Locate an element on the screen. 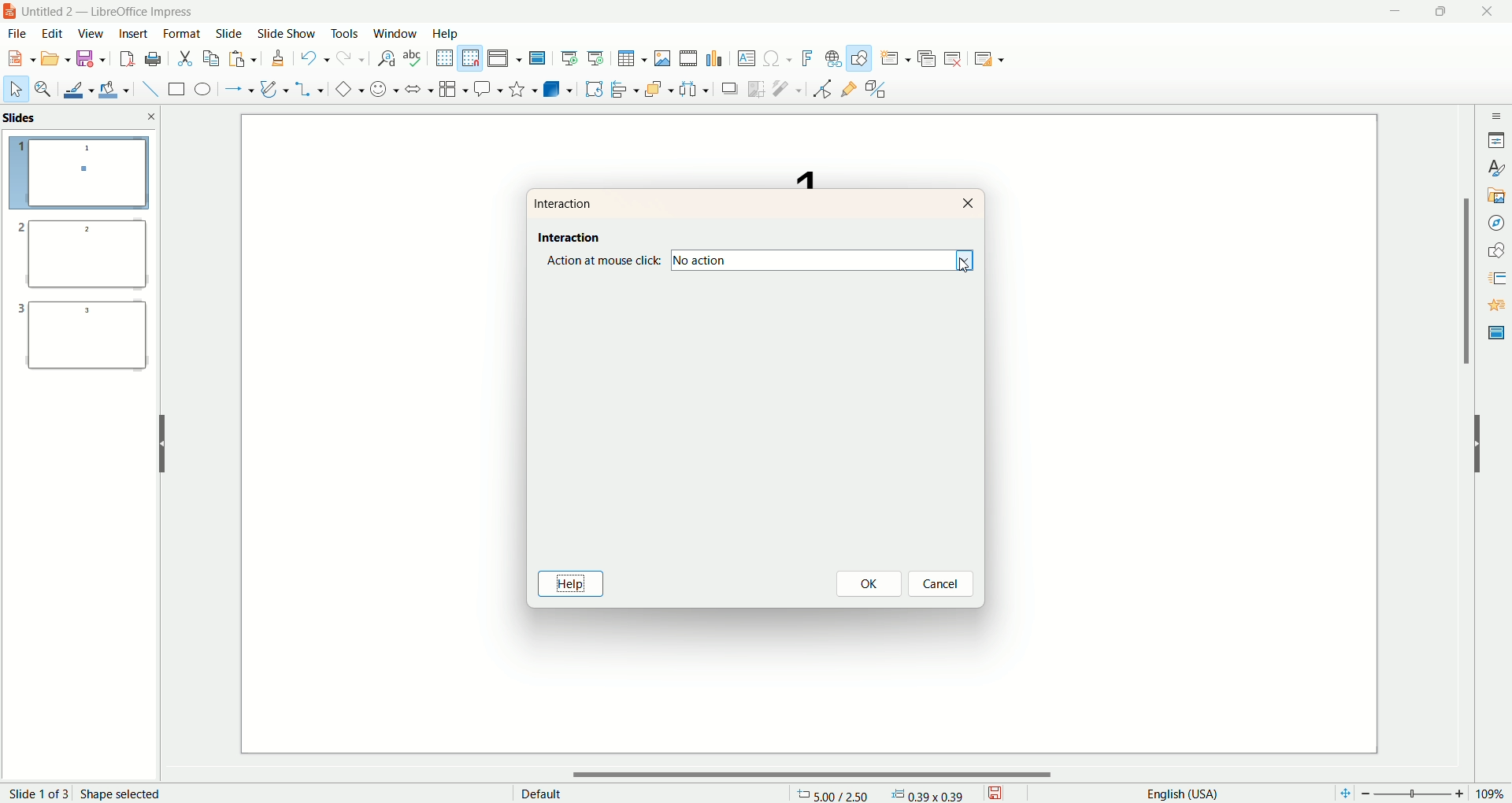 This screenshot has width=1512, height=803. callout shapes is located at coordinates (486, 90).